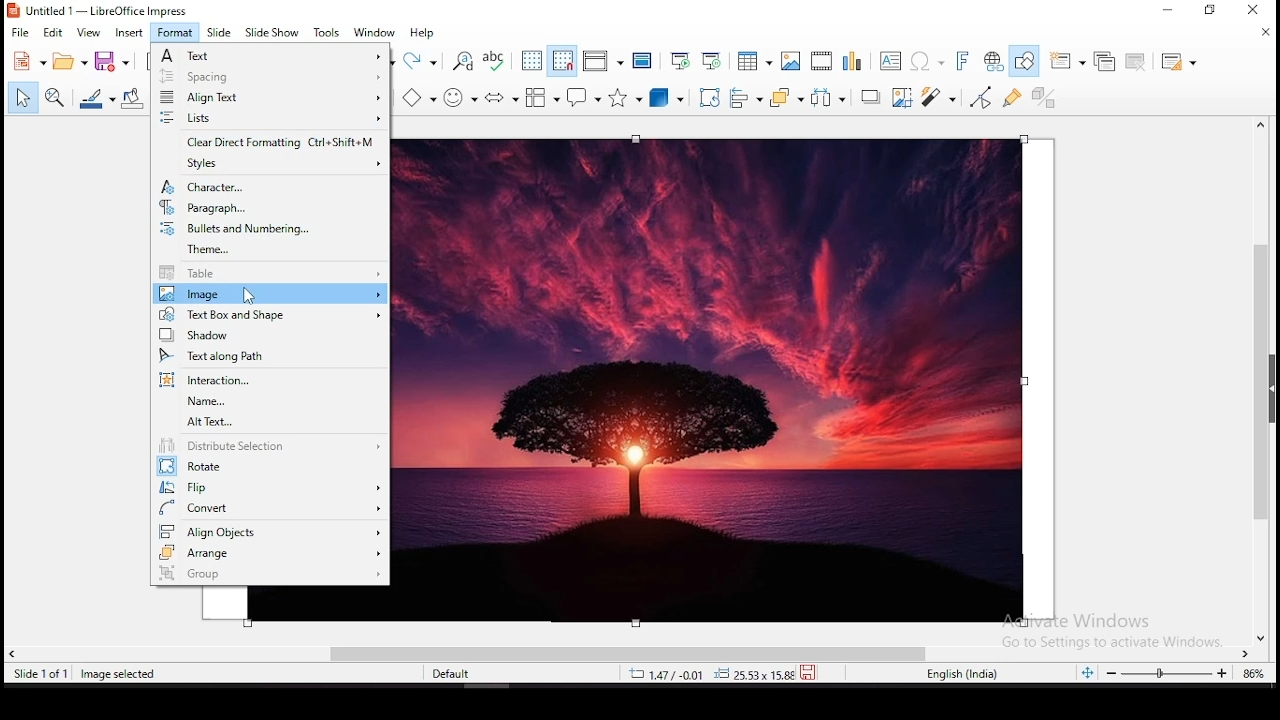 The image size is (1280, 720). Describe the element at coordinates (851, 62) in the screenshot. I see `insert chart` at that location.